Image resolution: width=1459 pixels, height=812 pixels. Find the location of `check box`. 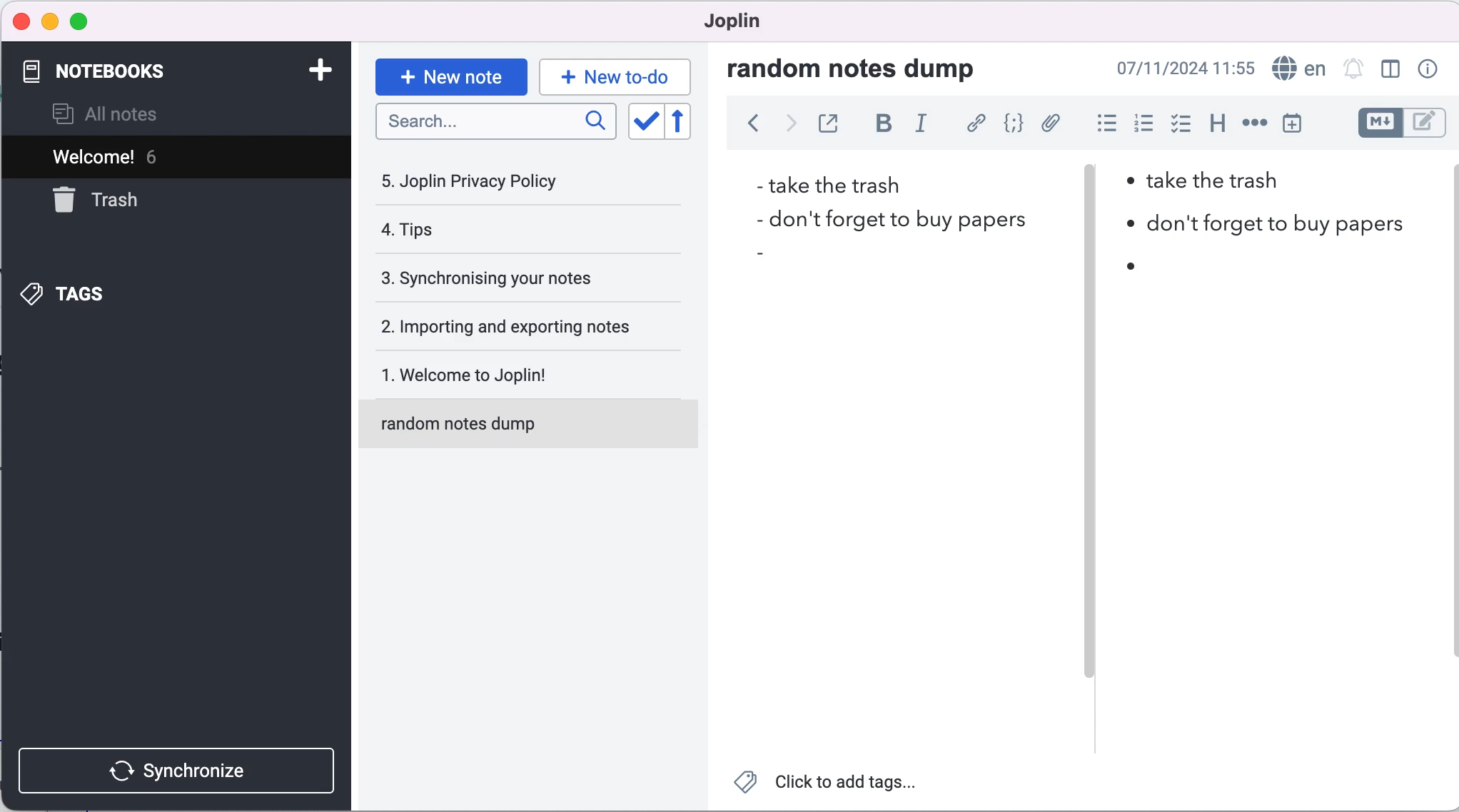

check box is located at coordinates (1177, 123).